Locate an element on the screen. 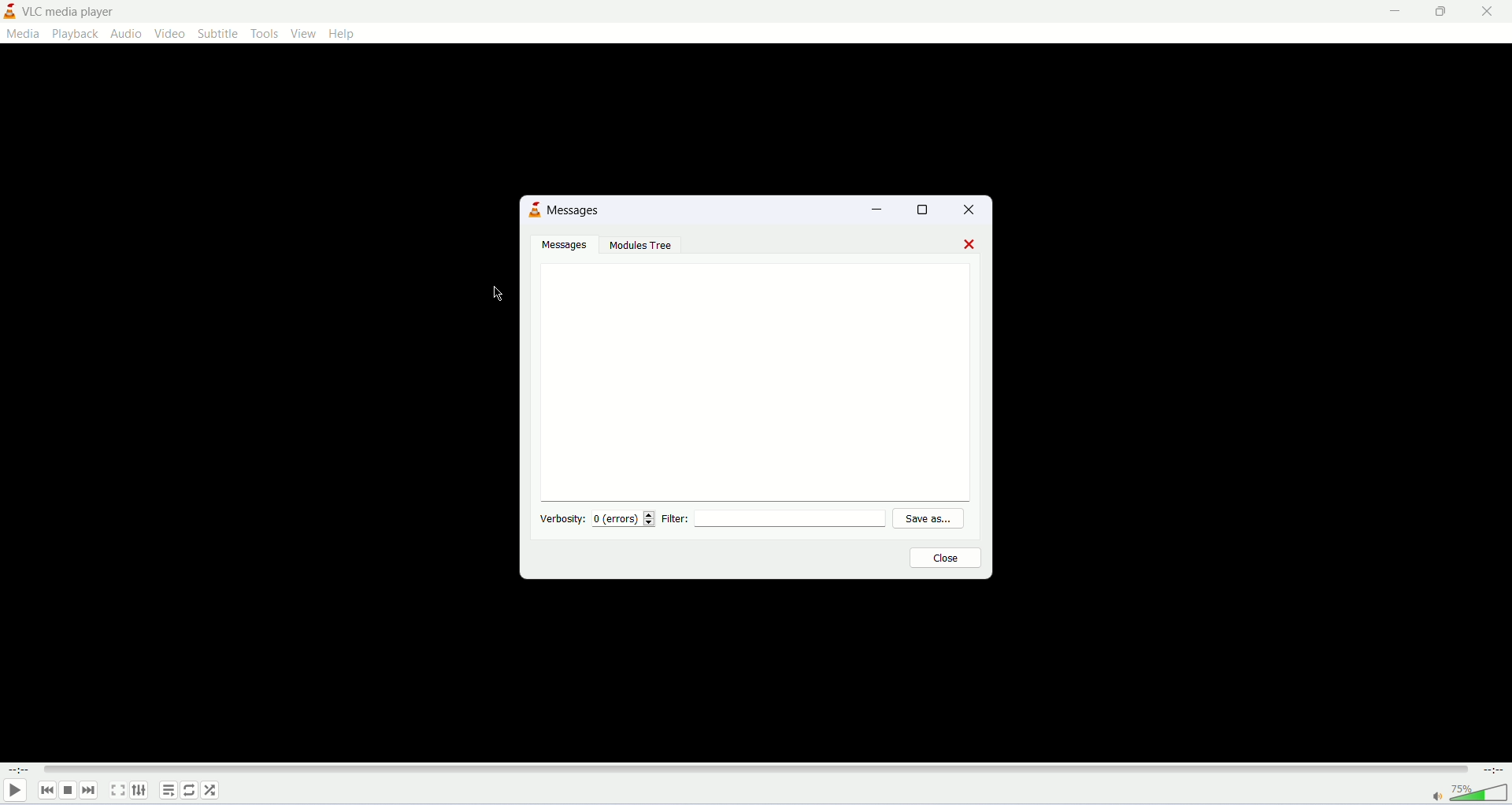  stop is located at coordinates (70, 792).